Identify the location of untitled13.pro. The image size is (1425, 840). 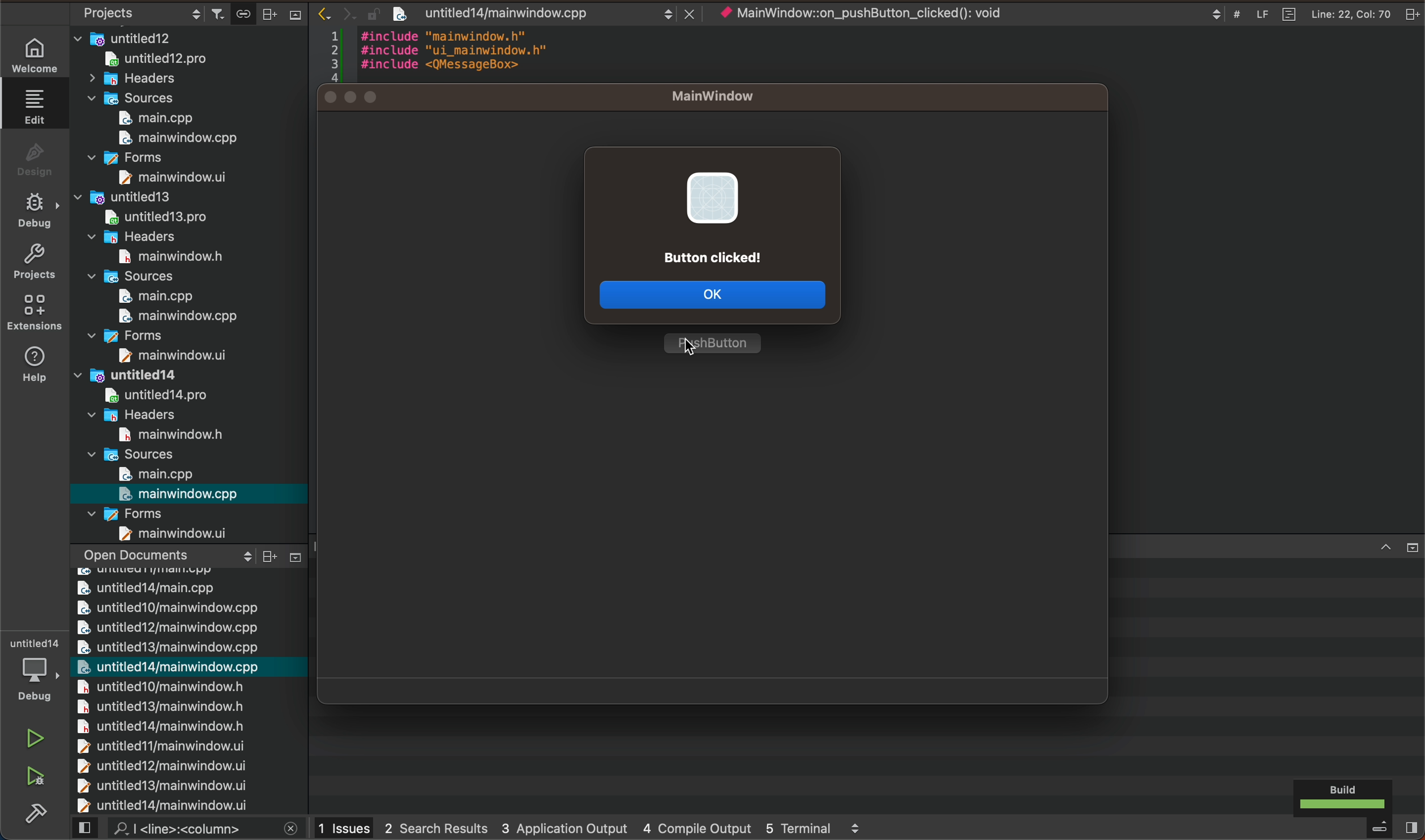
(153, 217).